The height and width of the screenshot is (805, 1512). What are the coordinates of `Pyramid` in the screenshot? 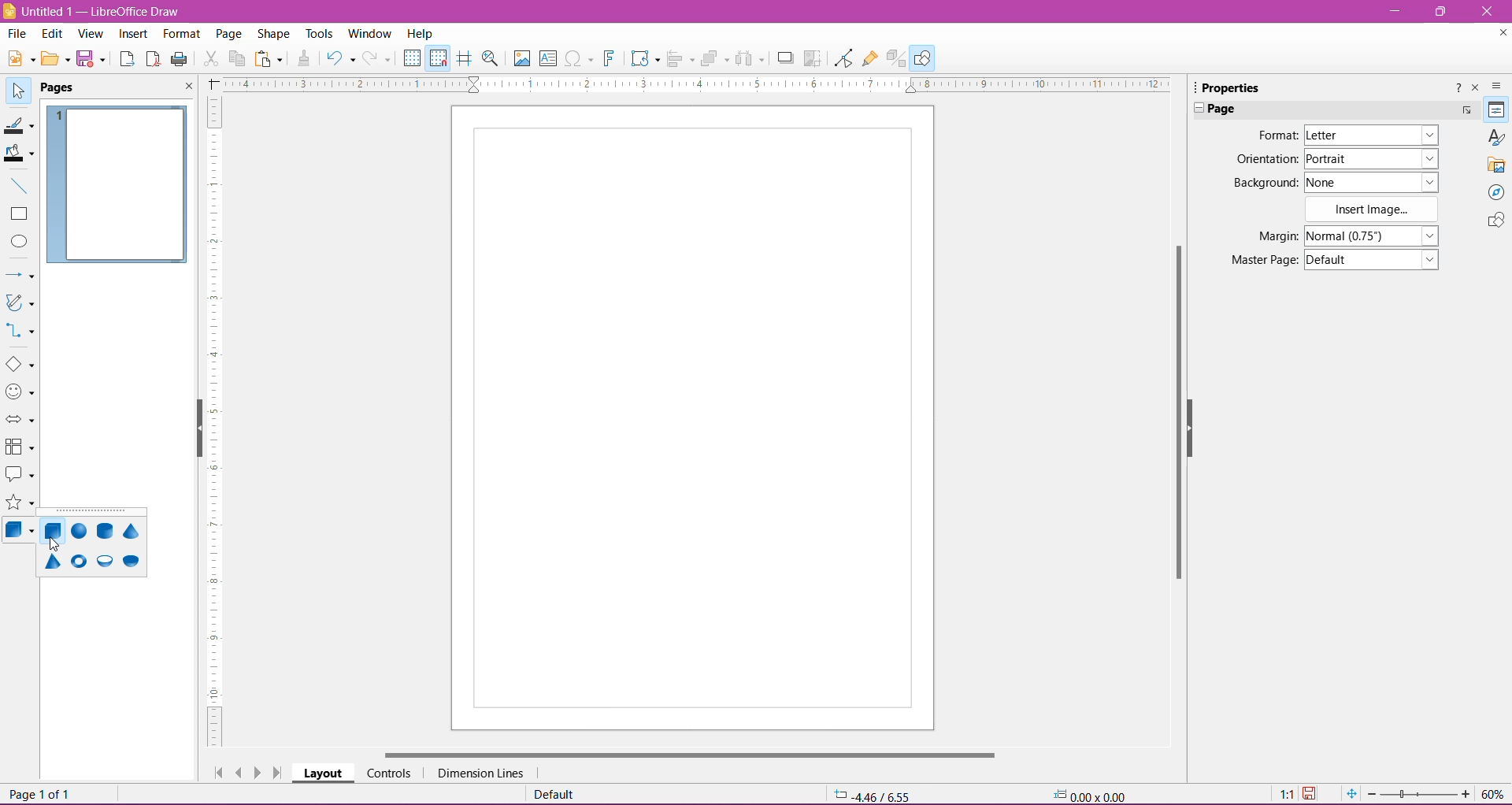 It's located at (52, 562).